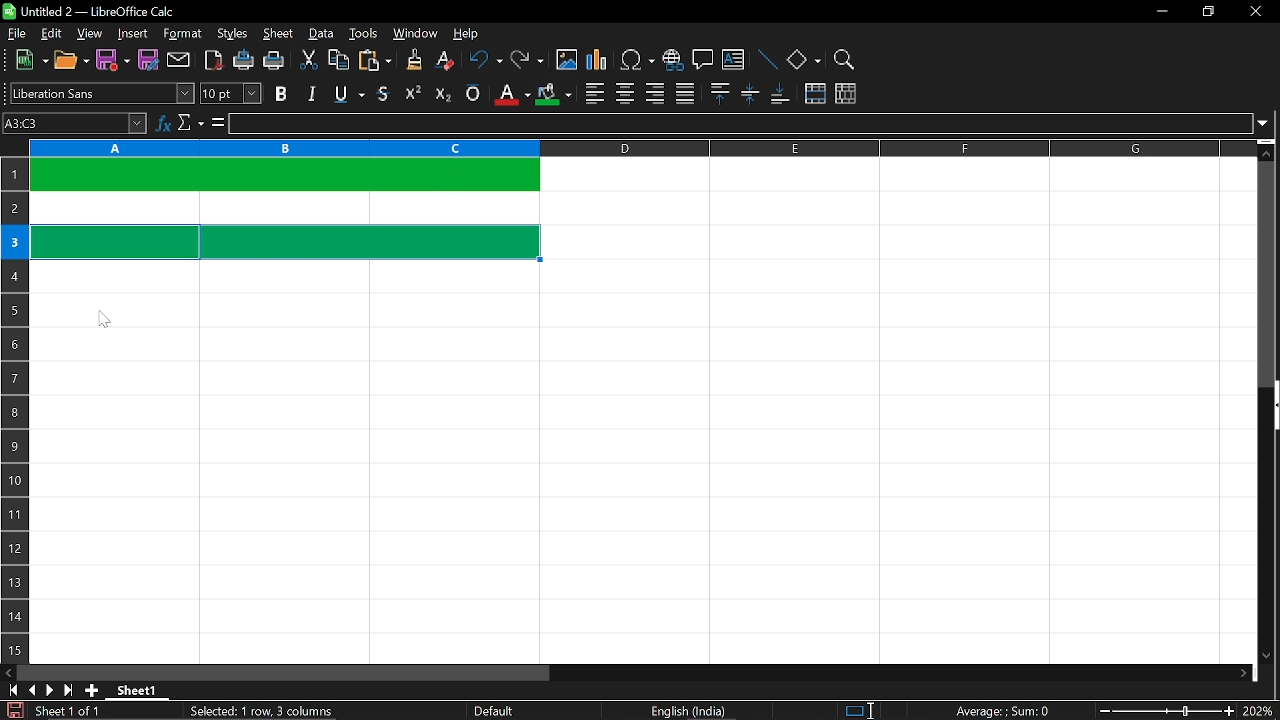 This screenshot has width=1280, height=720. I want to click on Default, so click(497, 711).